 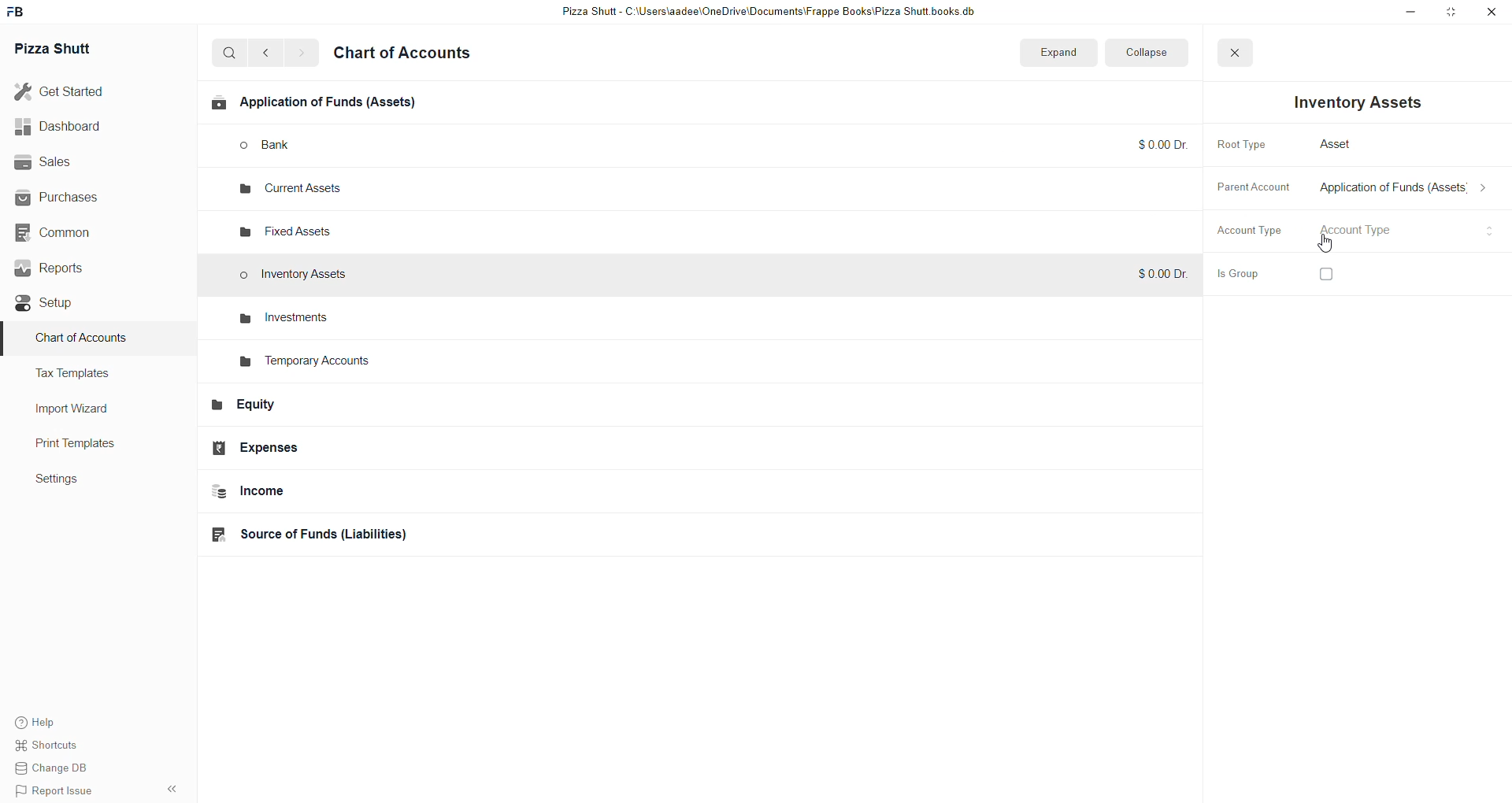 I want to click on cursor, so click(x=1321, y=246).